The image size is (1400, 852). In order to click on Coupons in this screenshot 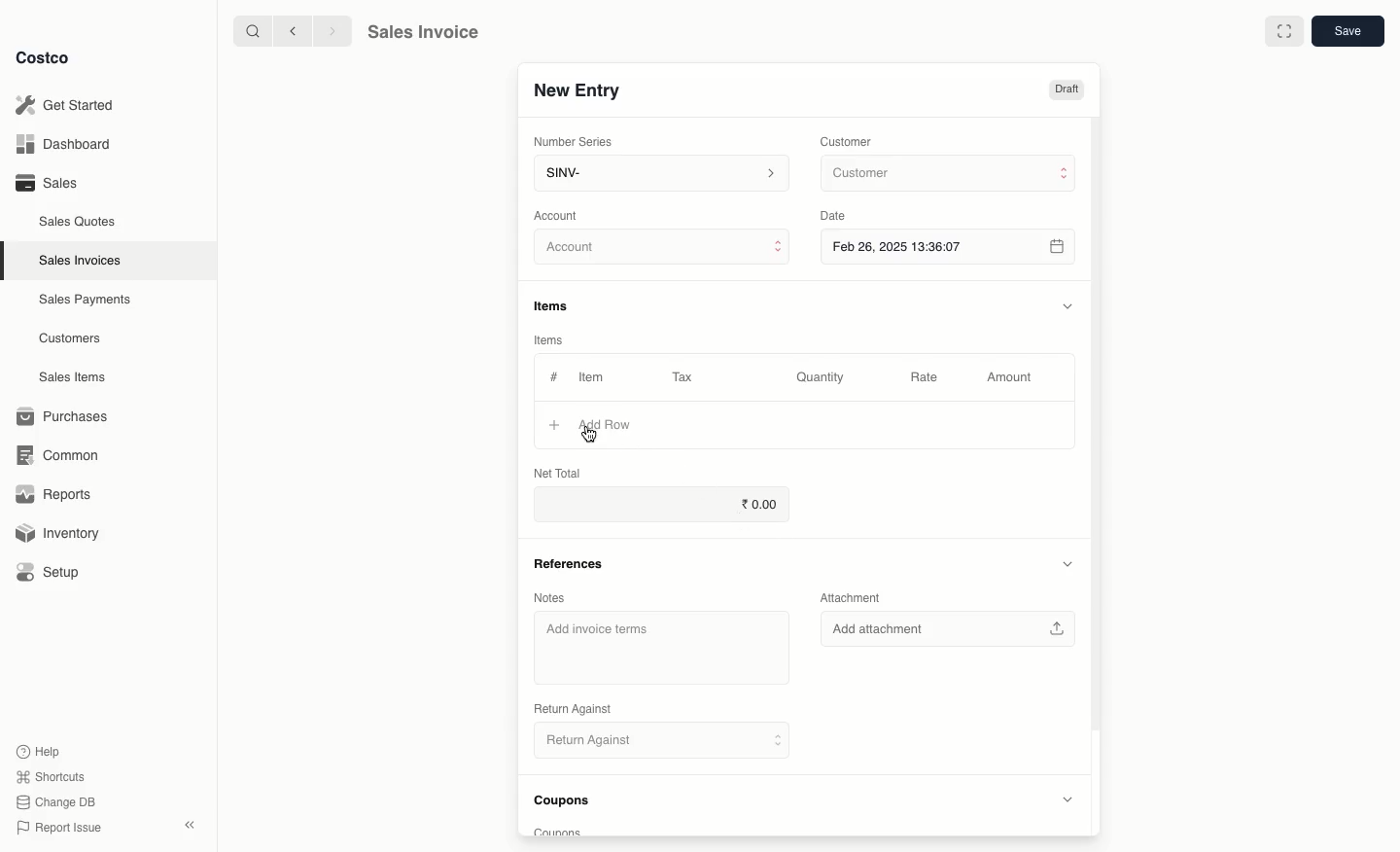, I will do `click(562, 800)`.